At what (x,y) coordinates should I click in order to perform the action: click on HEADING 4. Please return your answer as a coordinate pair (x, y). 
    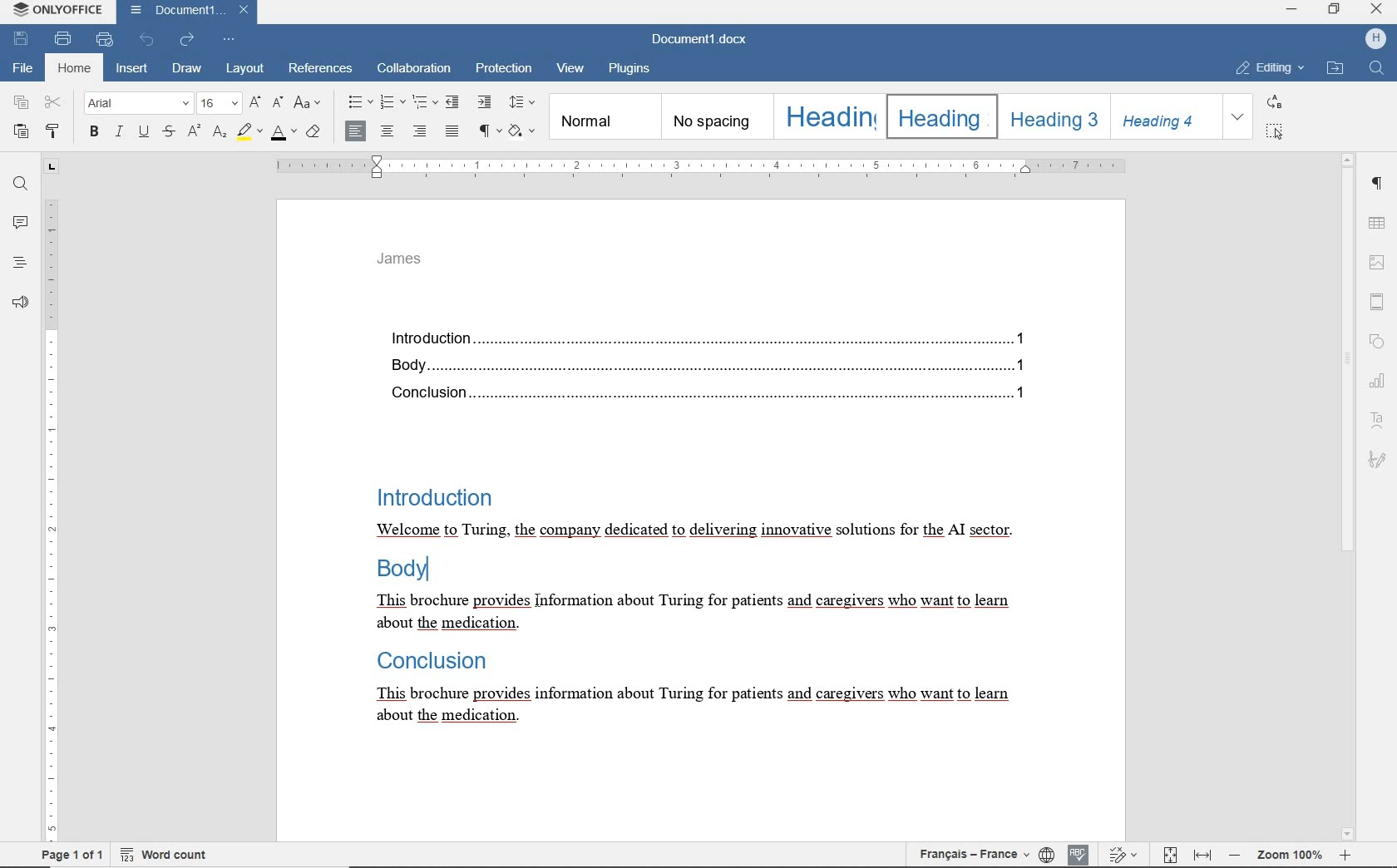
    Looking at the image, I should click on (1164, 116).